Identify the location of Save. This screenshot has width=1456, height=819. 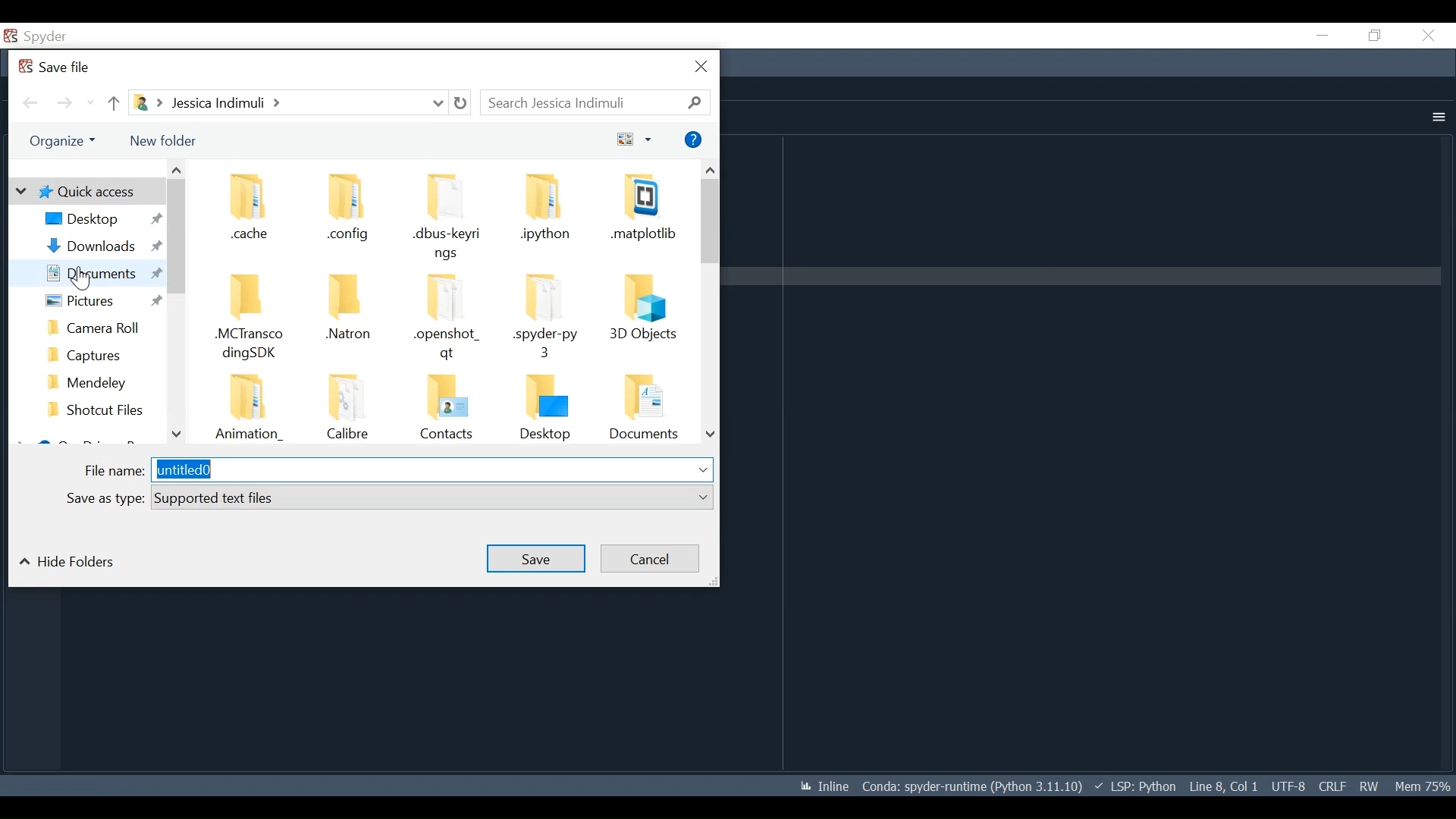
(538, 559).